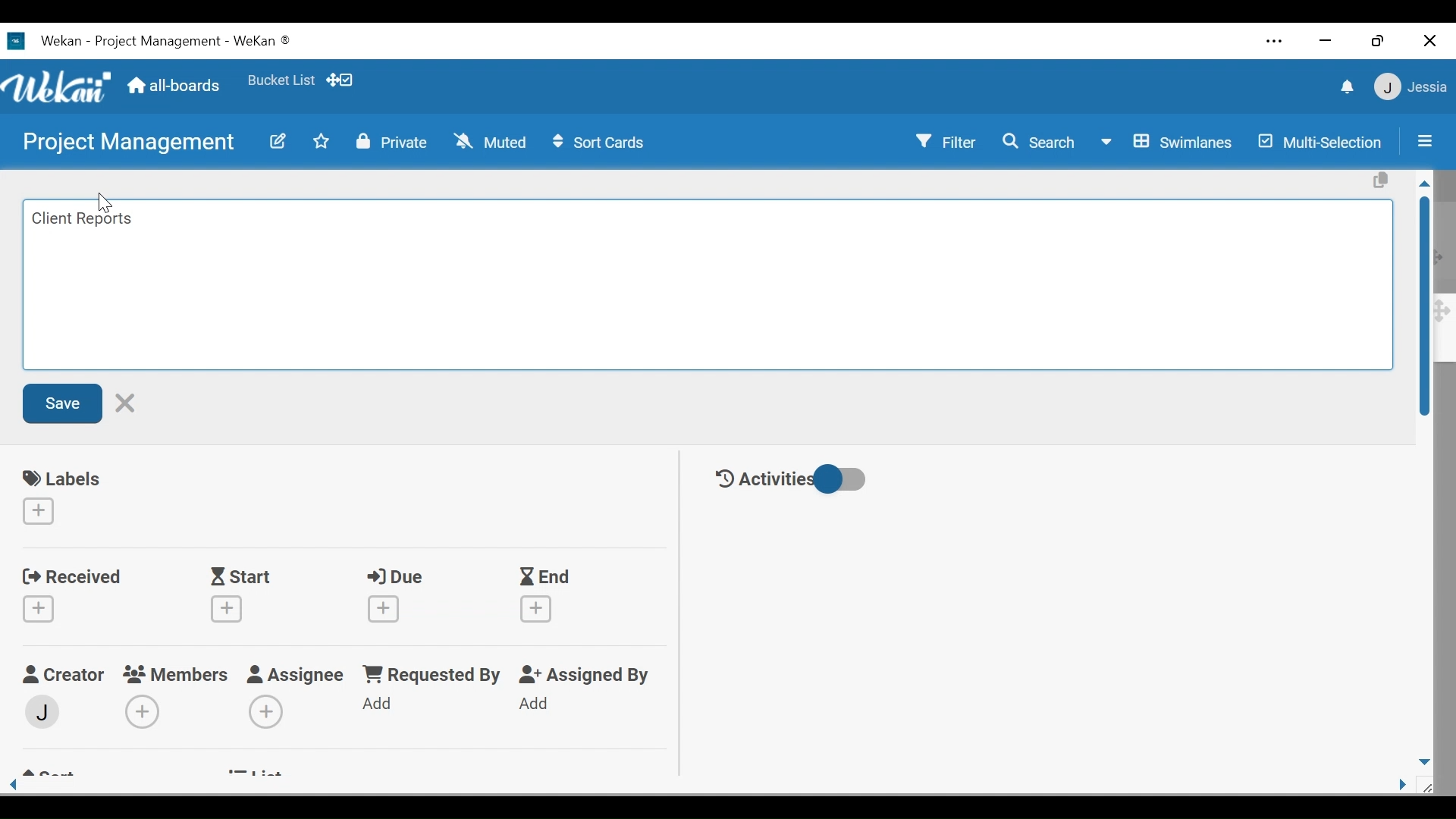  I want to click on User Member, so click(1411, 86).